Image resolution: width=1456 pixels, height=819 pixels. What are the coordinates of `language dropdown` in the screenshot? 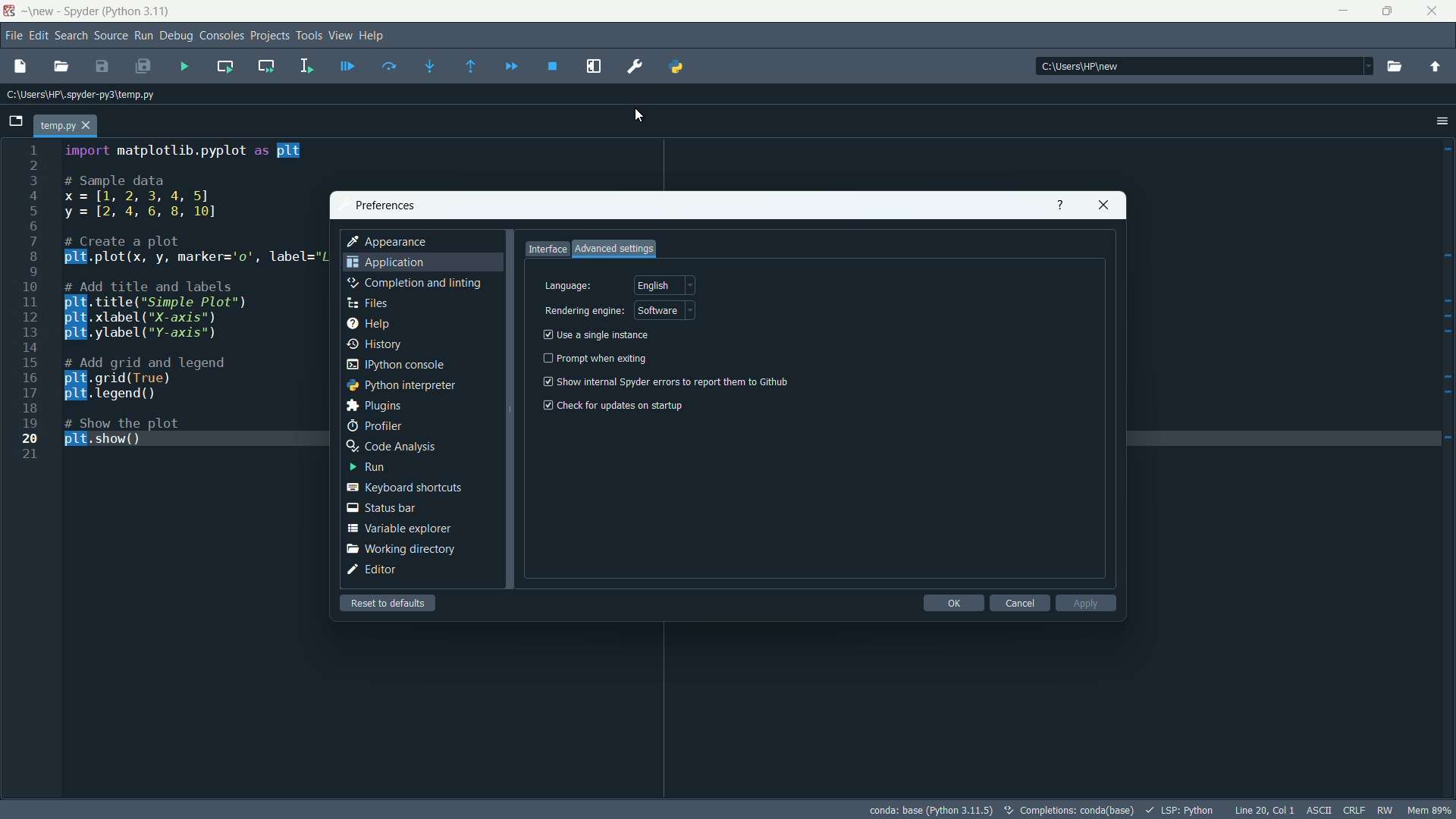 It's located at (664, 286).